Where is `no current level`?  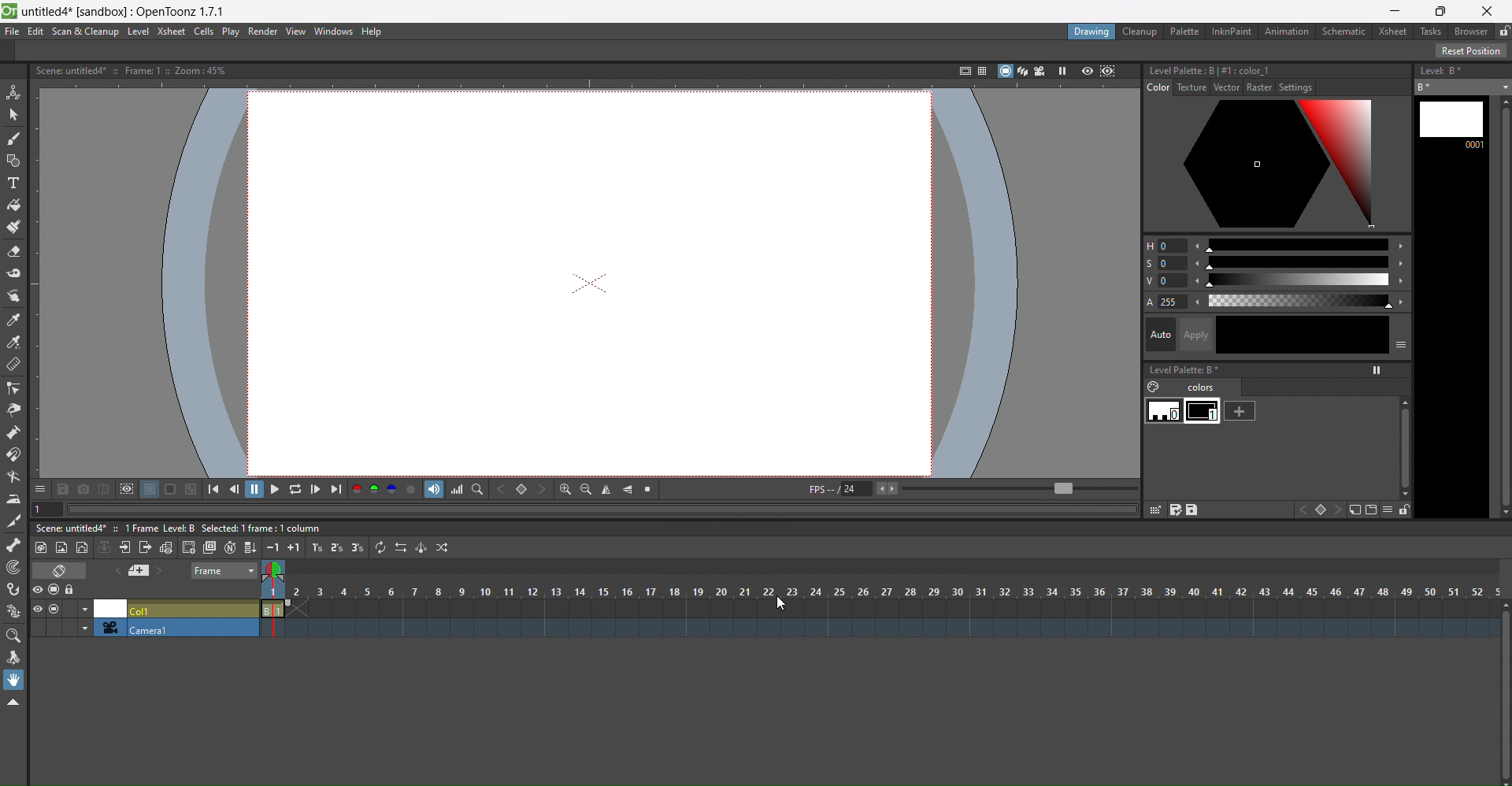 no current level is located at coordinates (1464, 87).